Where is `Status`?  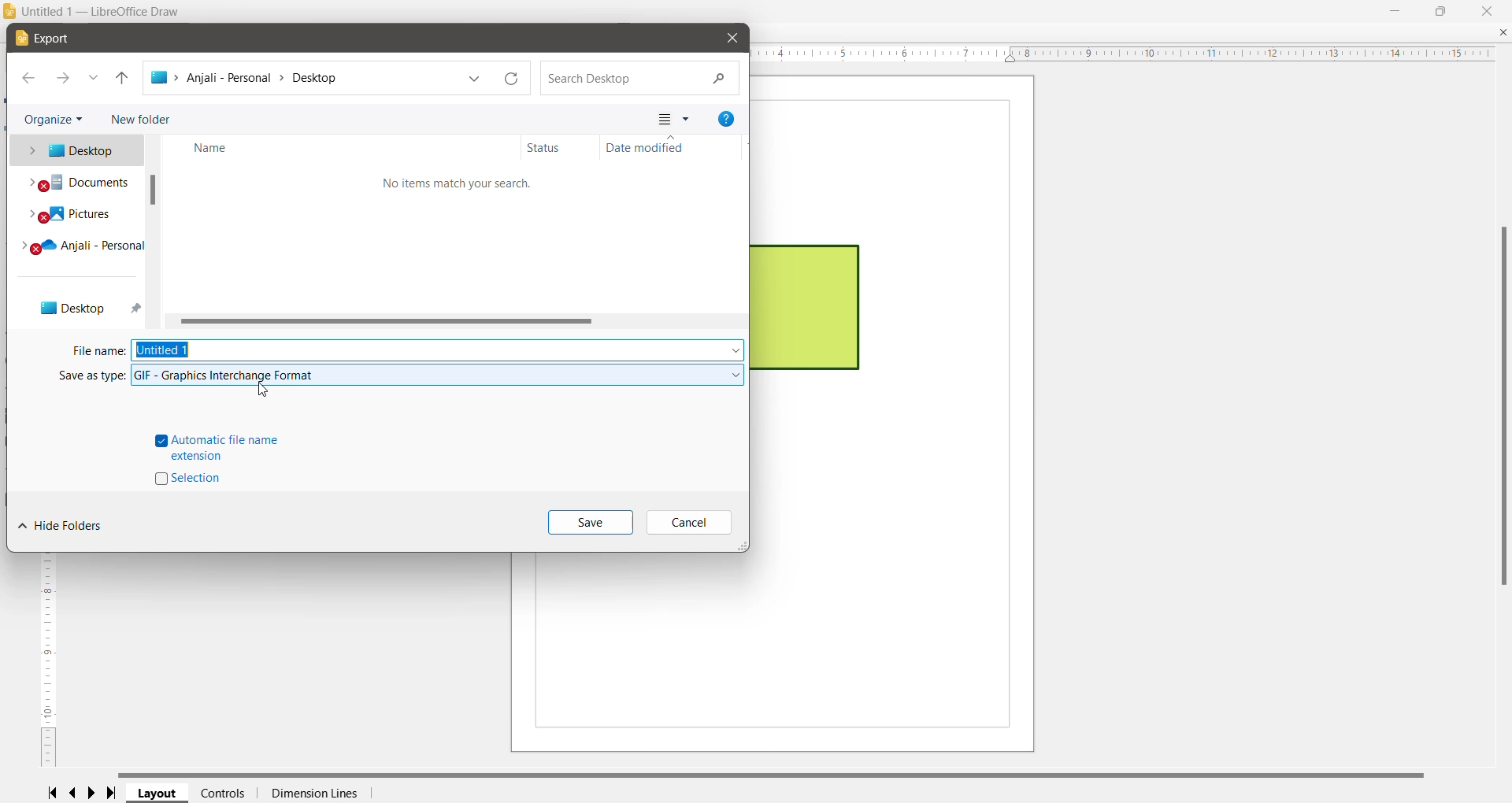 Status is located at coordinates (560, 147).